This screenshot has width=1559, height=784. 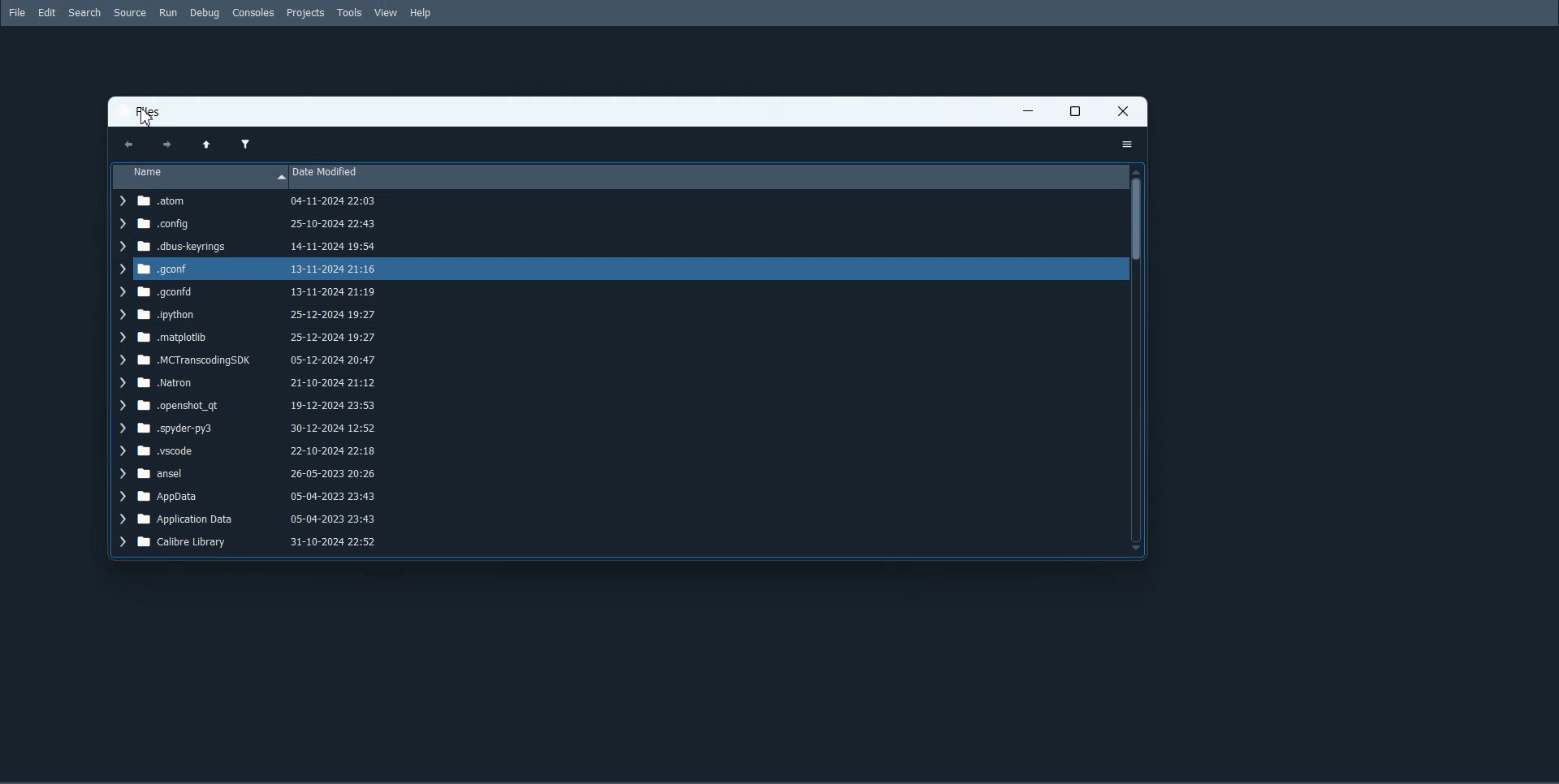 What do you see at coordinates (246, 316) in the screenshot?
I see `ipython 25-12-2024 19:27` at bounding box center [246, 316].